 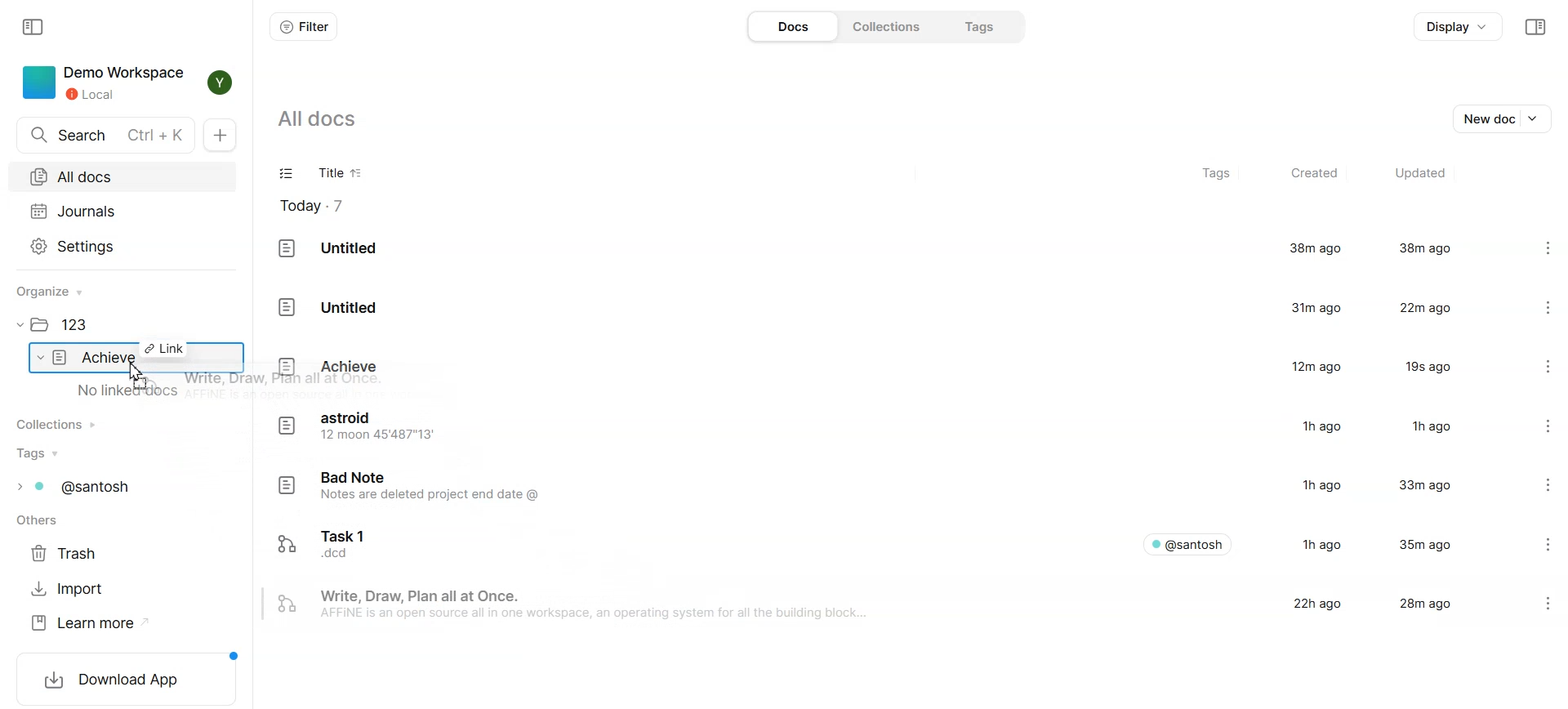 What do you see at coordinates (90, 623) in the screenshot?
I see `Learn more` at bounding box center [90, 623].